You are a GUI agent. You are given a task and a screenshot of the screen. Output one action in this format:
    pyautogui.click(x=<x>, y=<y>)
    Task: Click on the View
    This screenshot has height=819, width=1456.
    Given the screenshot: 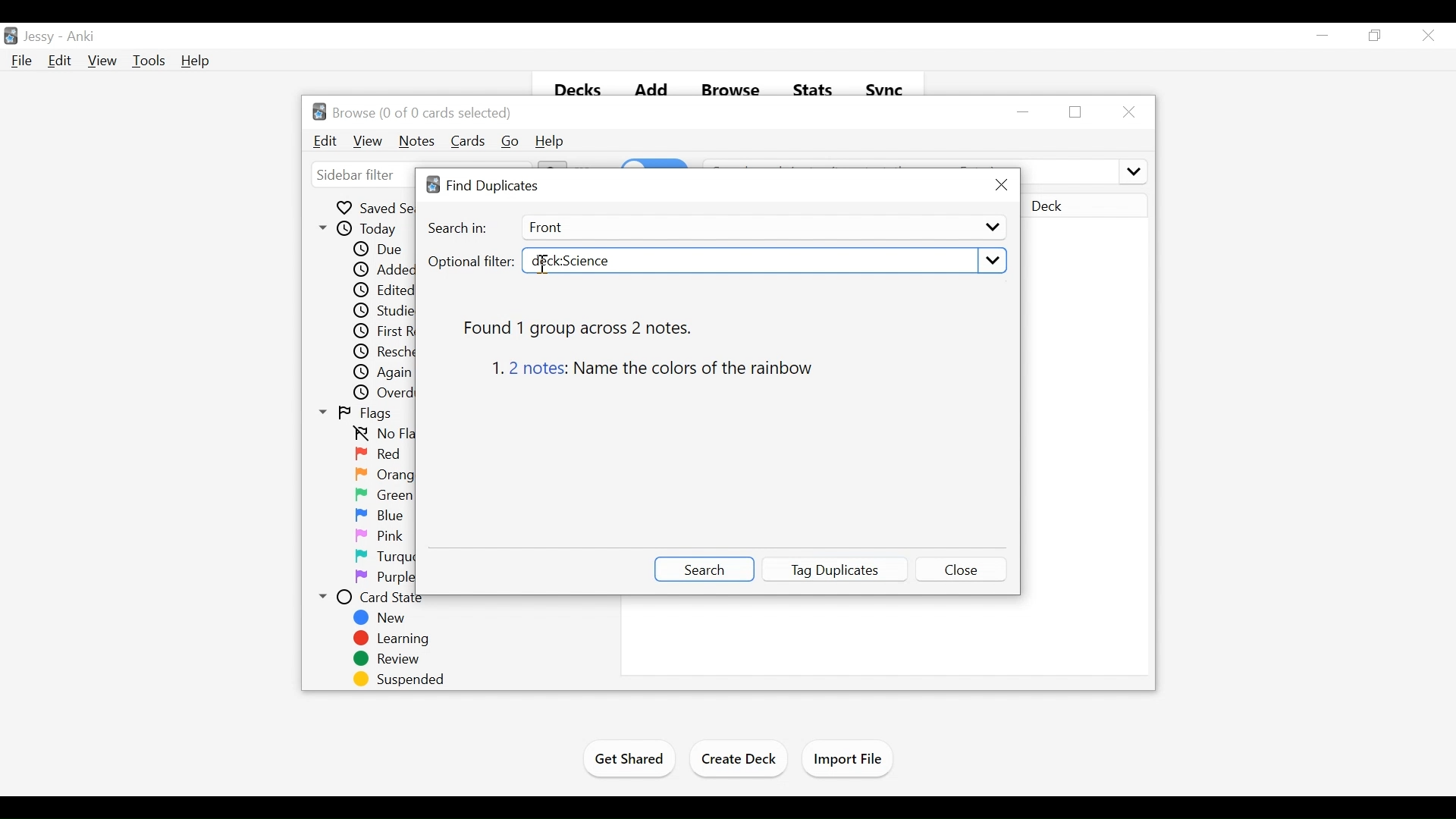 What is the action you would take?
    pyautogui.click(x=369, y=142)
    